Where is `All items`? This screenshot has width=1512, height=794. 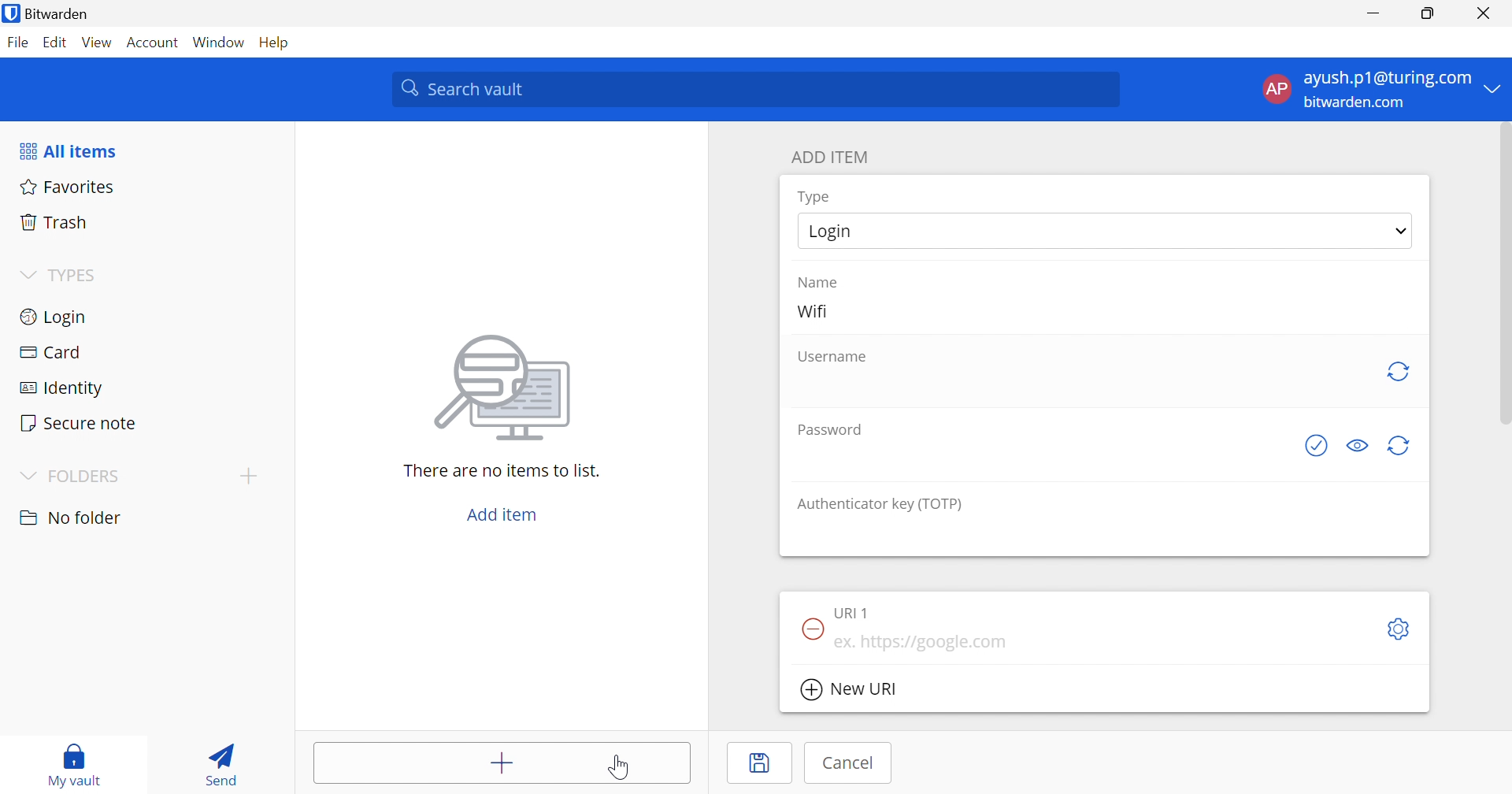
All items is located at coordinates (67, 151).